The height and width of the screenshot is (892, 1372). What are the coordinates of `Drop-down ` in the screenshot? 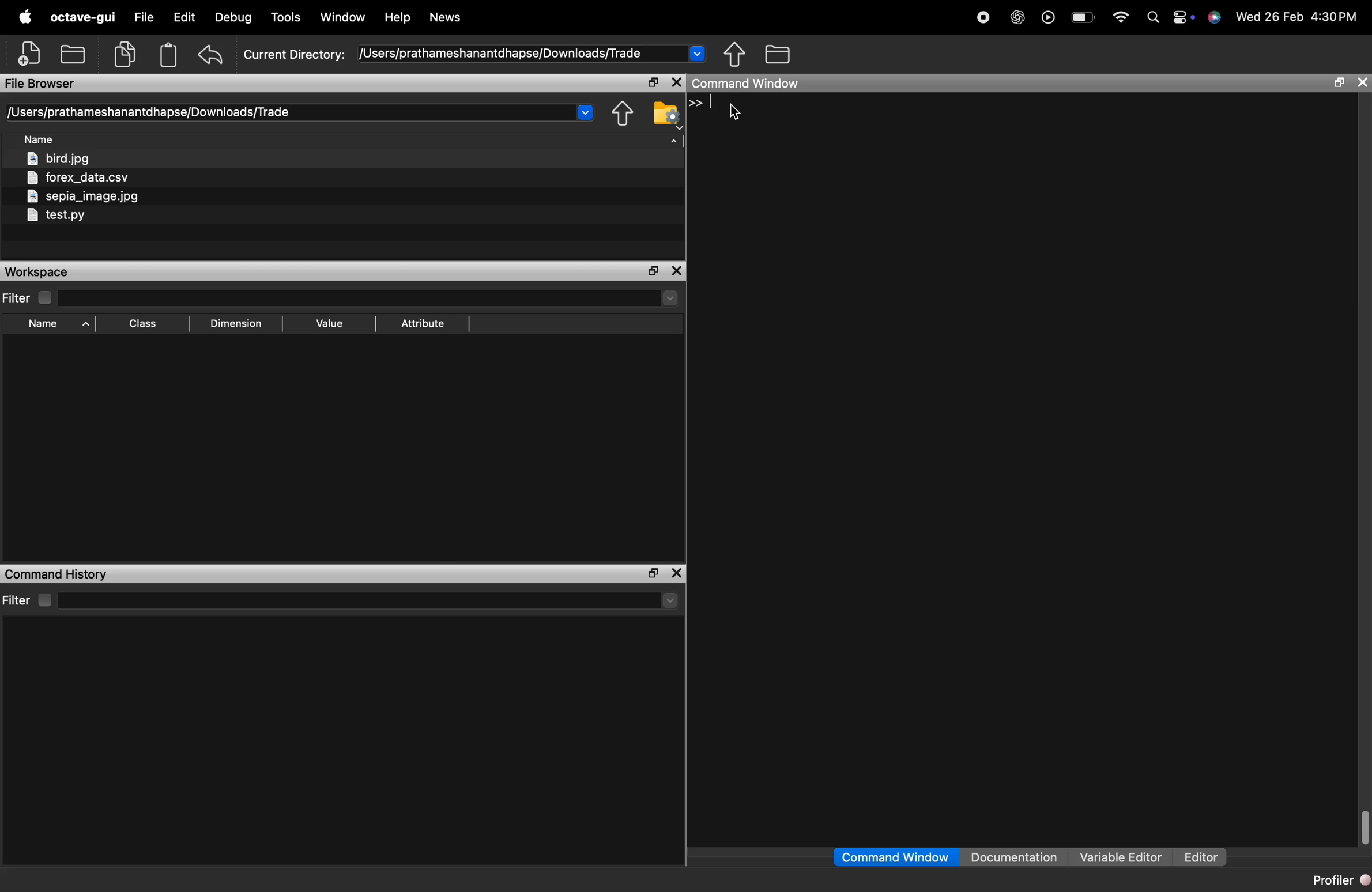 It's located at (698, 52).